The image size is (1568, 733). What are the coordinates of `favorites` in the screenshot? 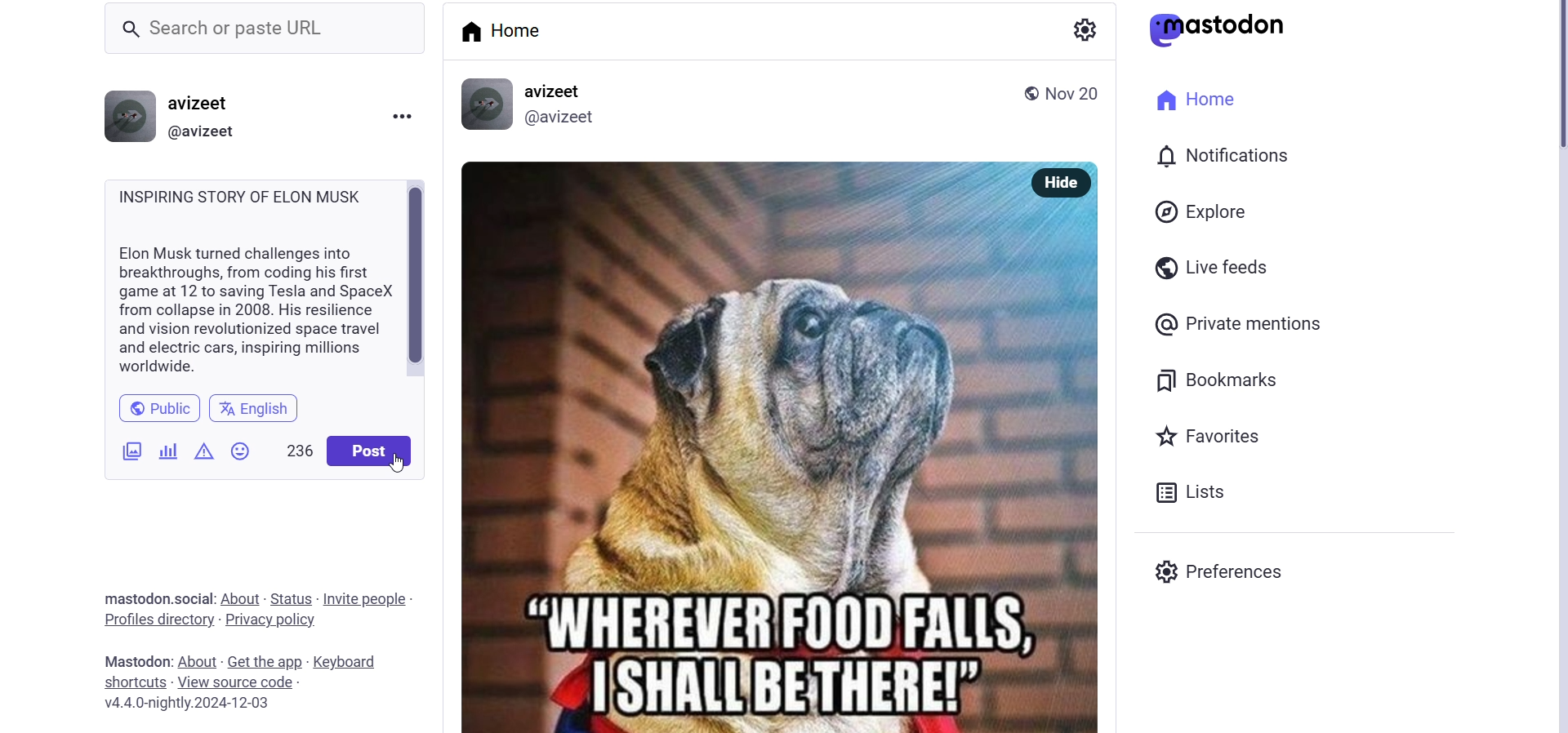 It's located at (1212, 434).